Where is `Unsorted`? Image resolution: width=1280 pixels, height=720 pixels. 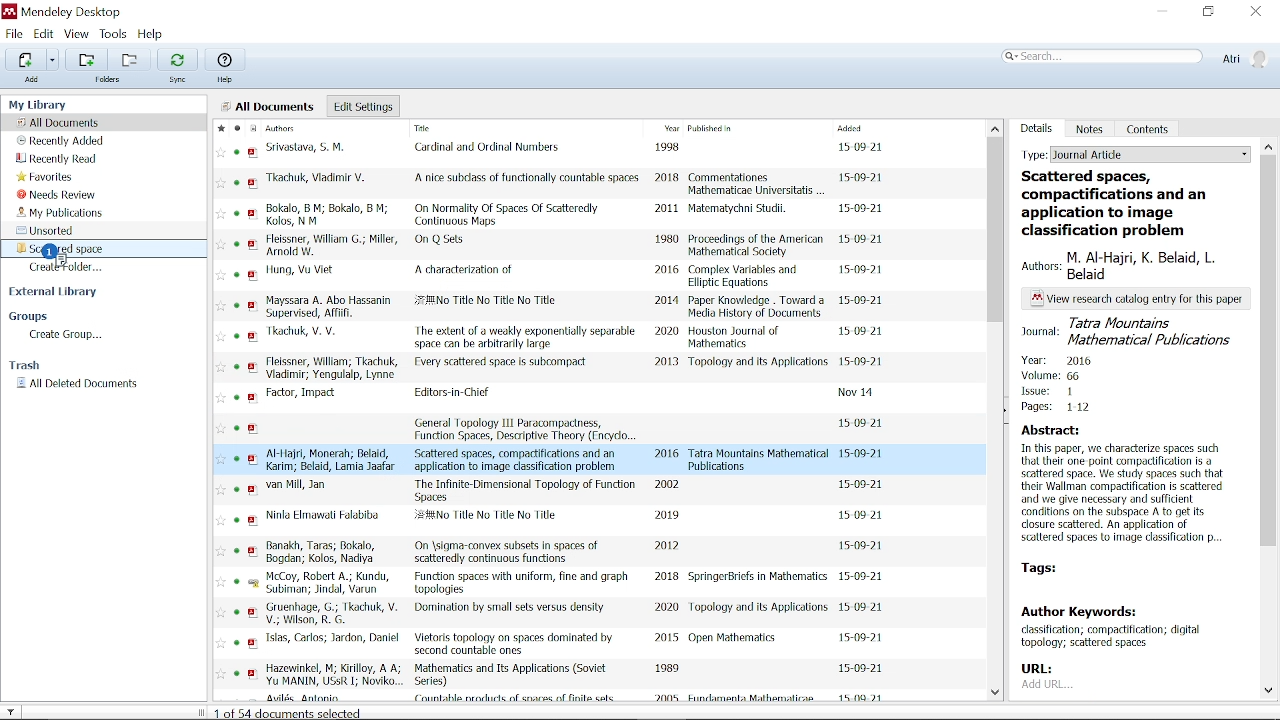 Unsorted is located at coordinates (50, 230).